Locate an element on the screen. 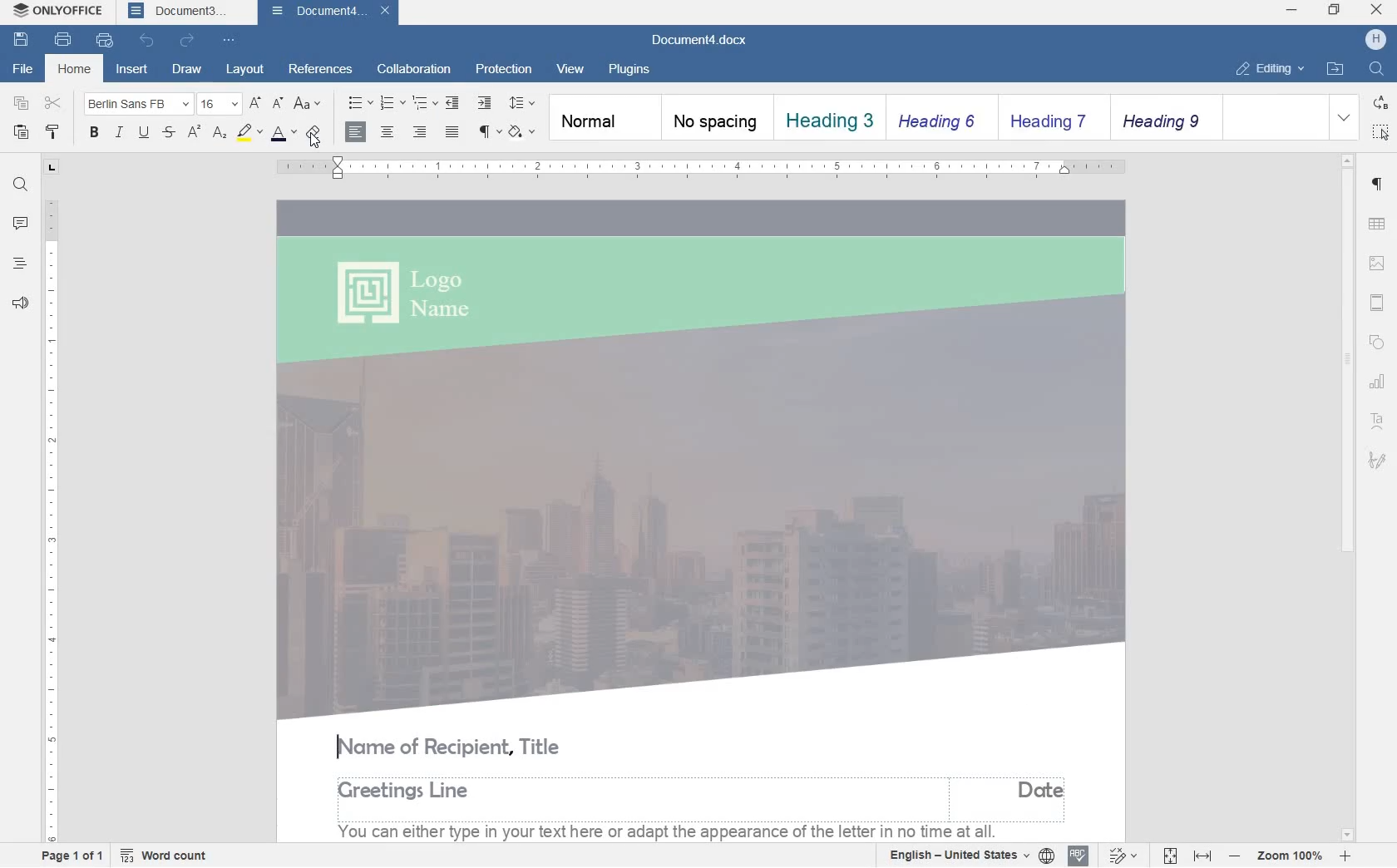 The width and height of the screenshot is (1397, 868). home is located at coordinates (74, 70).